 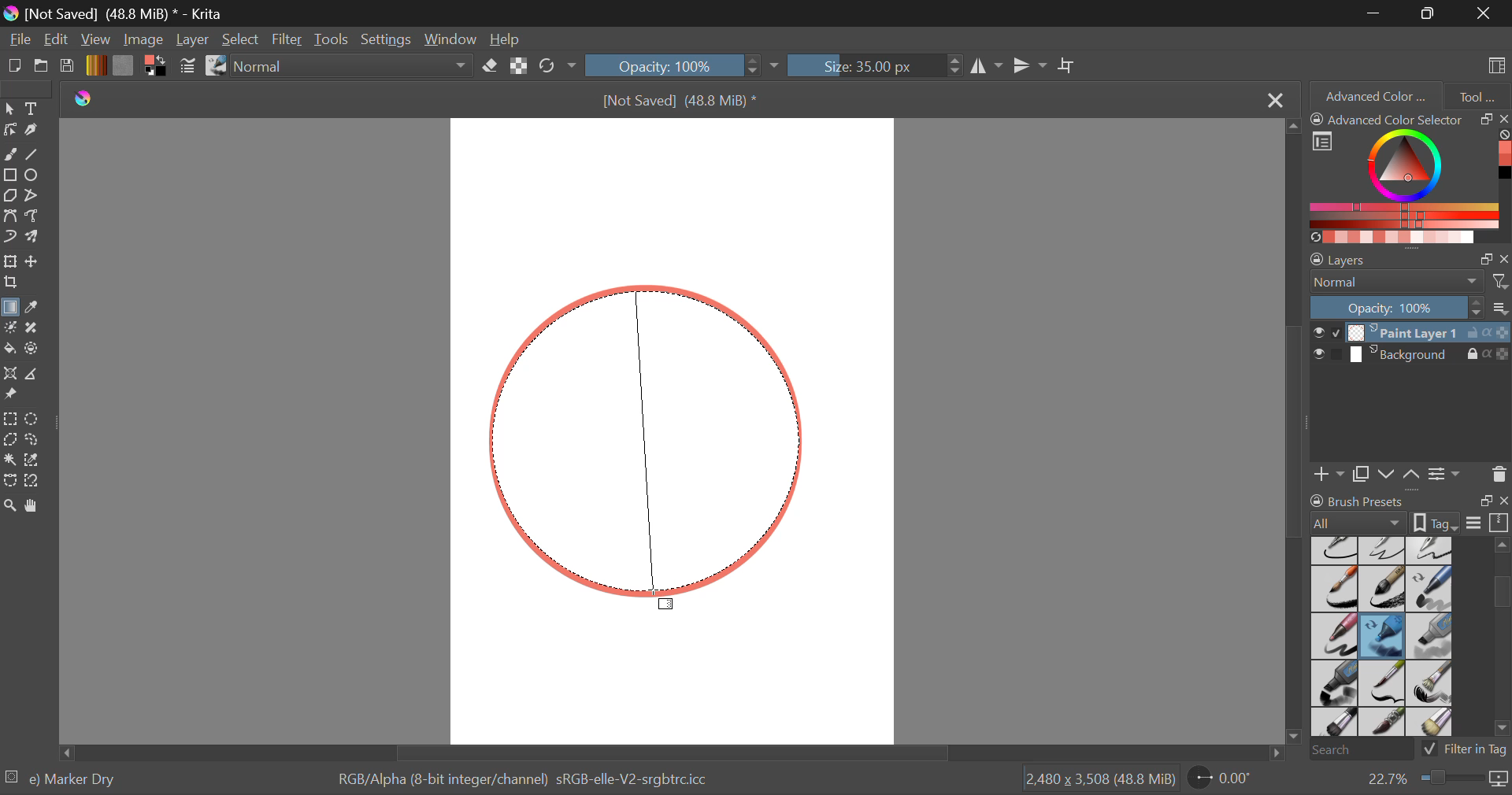 I want to click on Advanced Color Selector, so click(x=1410, y=177).